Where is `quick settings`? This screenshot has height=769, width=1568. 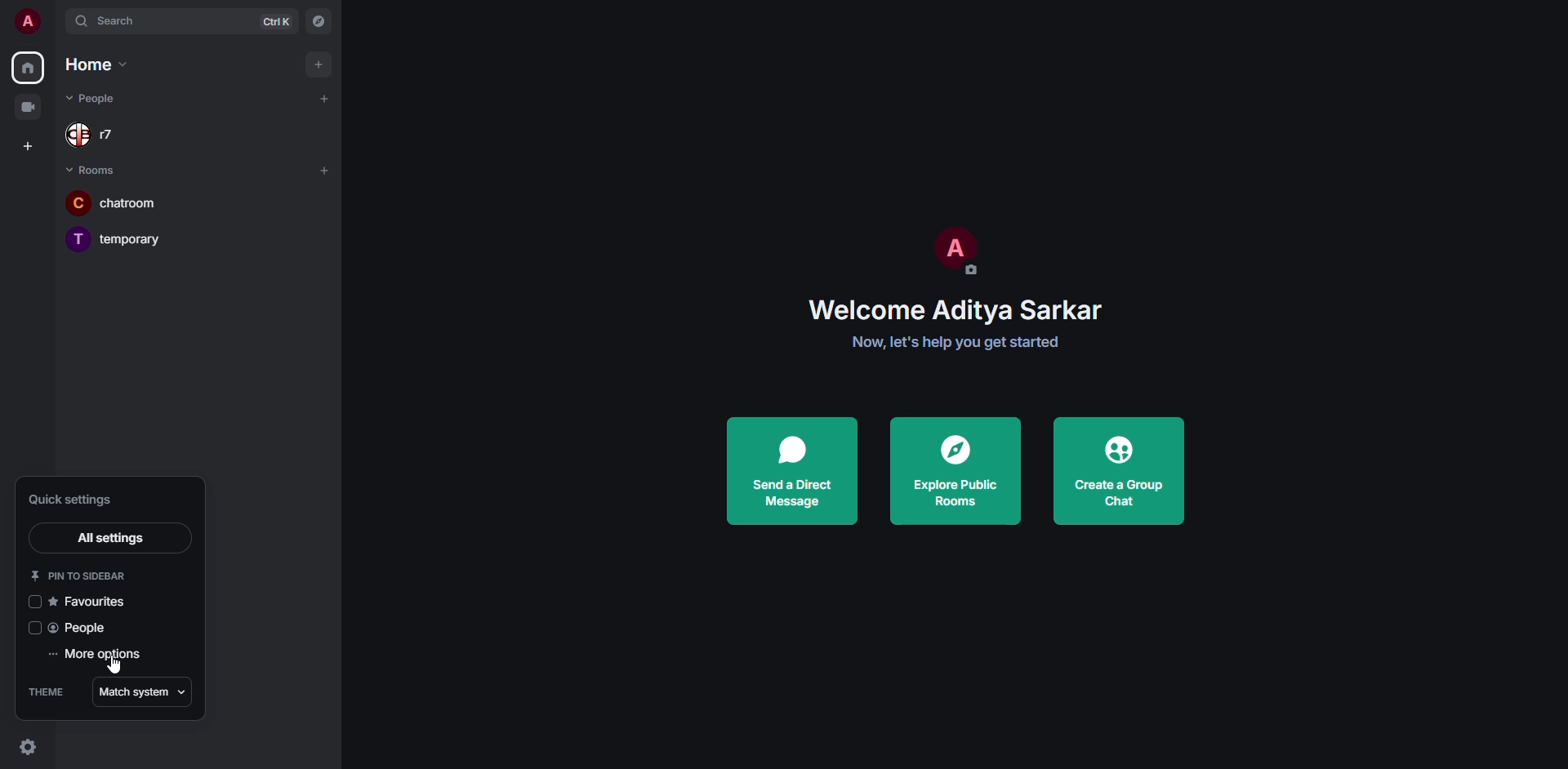
quick settings is located at coordinates (31, 748).